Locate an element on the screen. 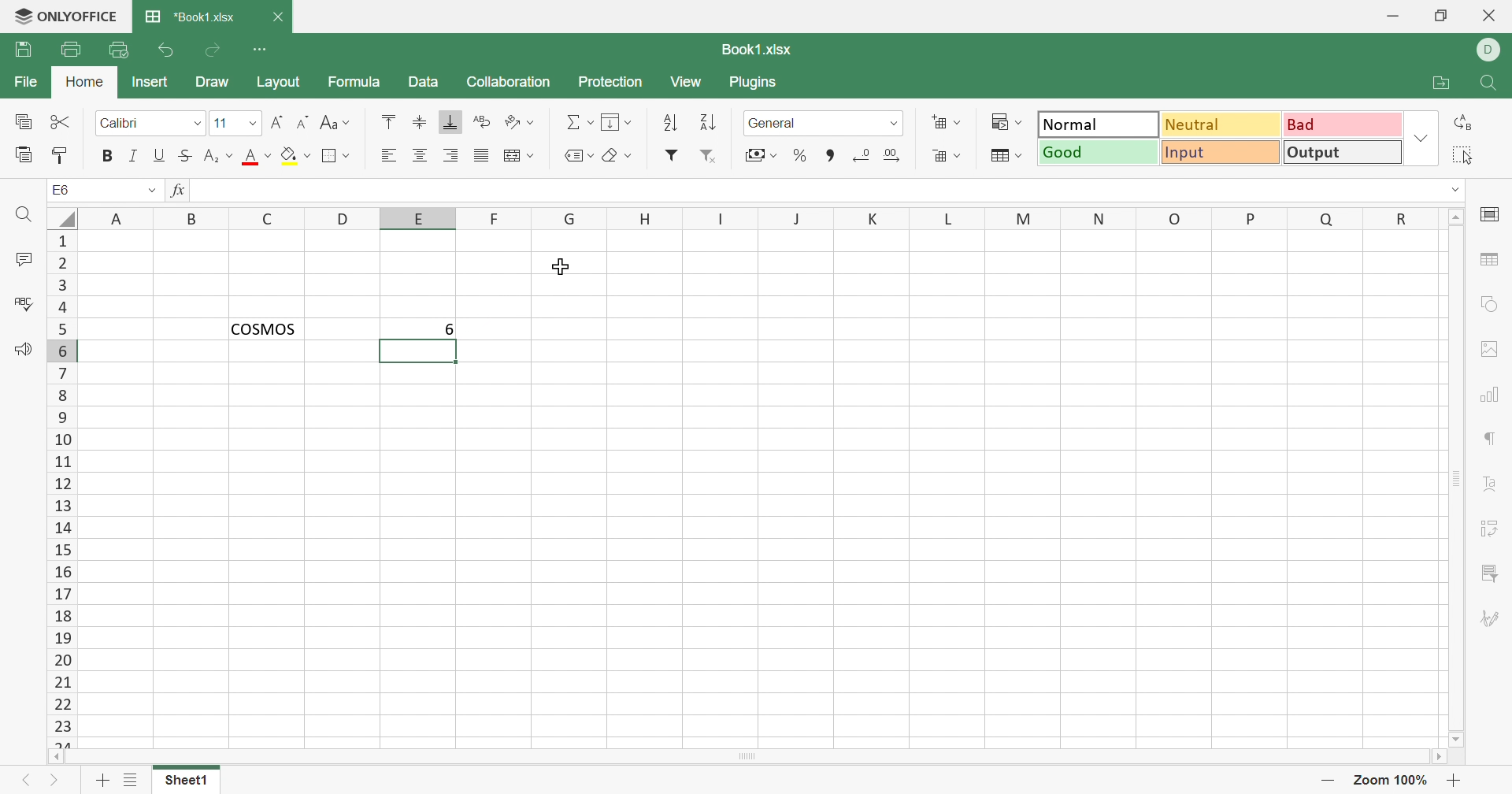  Drop down is located at coordinates (254, 122).